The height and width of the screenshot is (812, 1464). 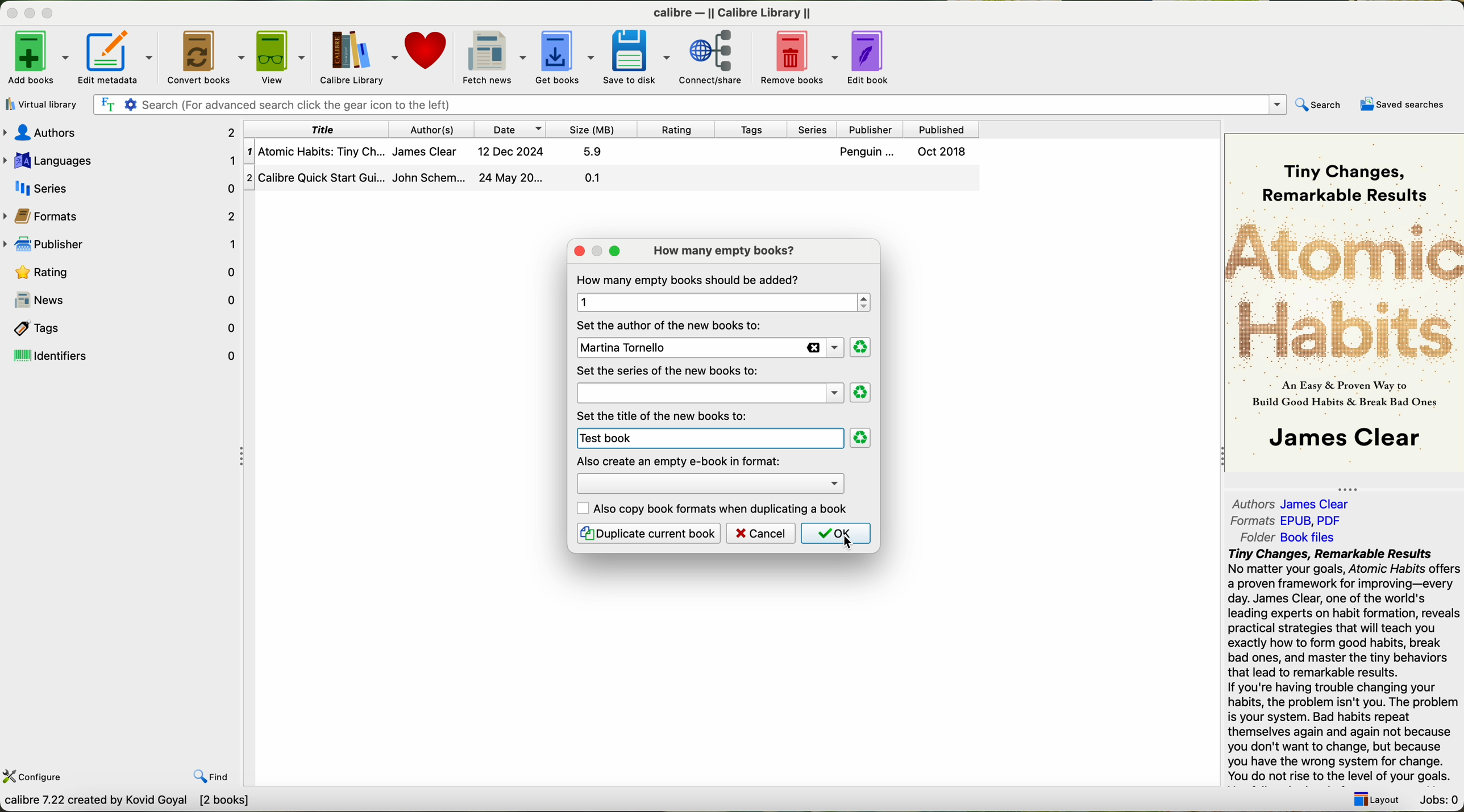 I want to click on second book, so click(x=611, y=180).